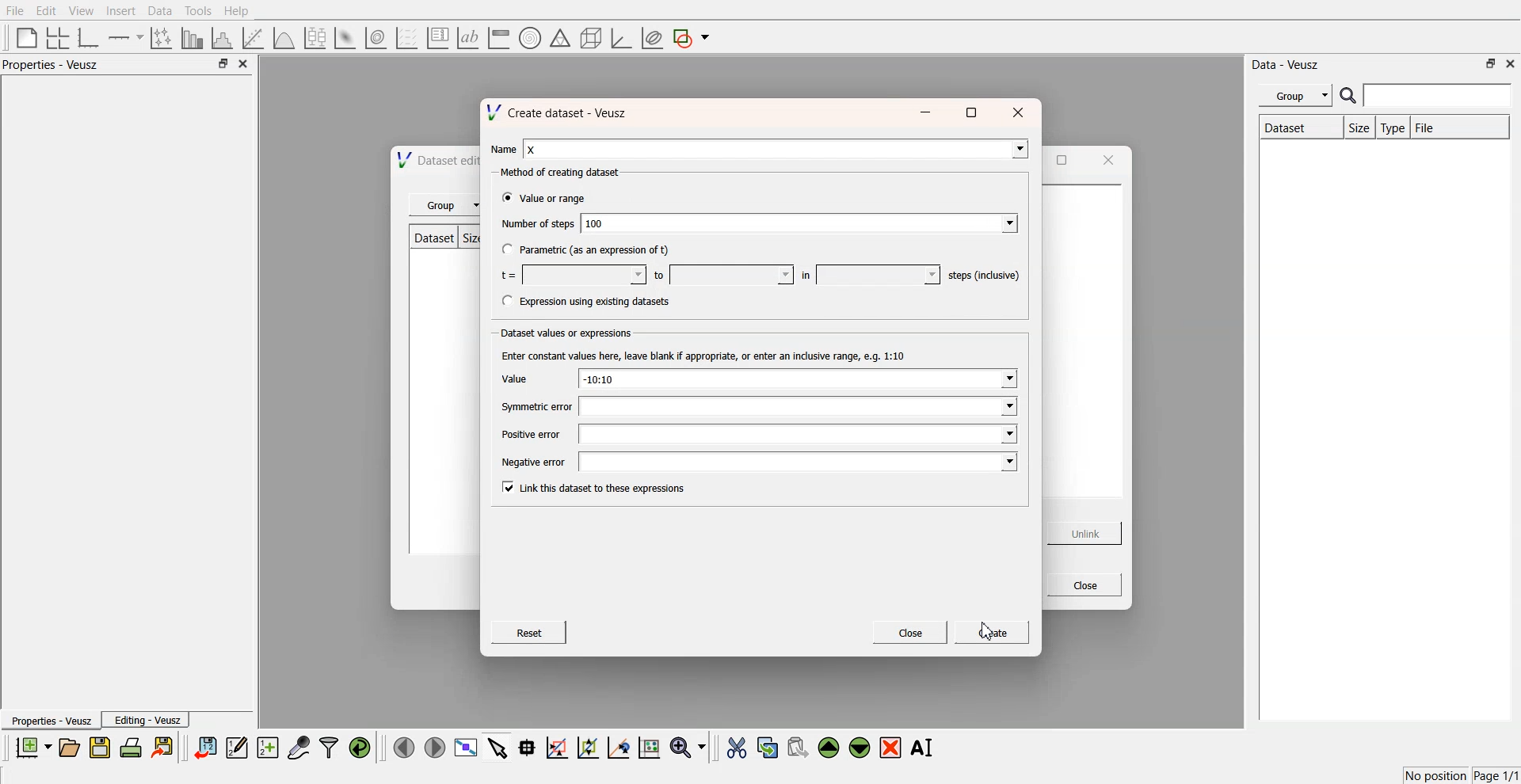 The width and height of the screenshot is (1521, 784). What do you see at coordinates (127, 37) in the screenshot?
I see `add an axis` at bounding box center [127, 37].